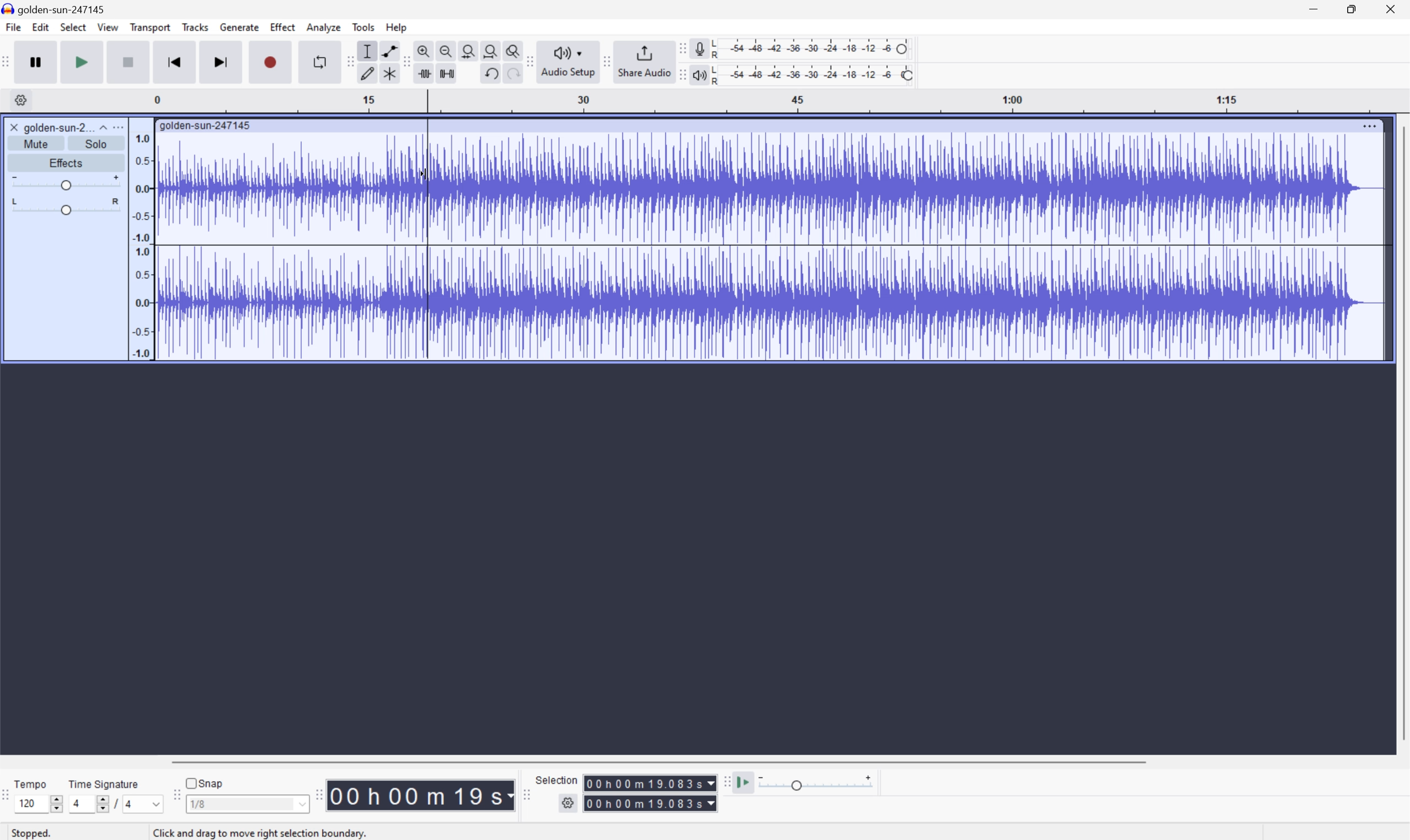 This screenshot has width=1410, height=840. Describe the element at coordinates (315, 792) in the screenshot. I see `Audacity Time toolbar` at that location.